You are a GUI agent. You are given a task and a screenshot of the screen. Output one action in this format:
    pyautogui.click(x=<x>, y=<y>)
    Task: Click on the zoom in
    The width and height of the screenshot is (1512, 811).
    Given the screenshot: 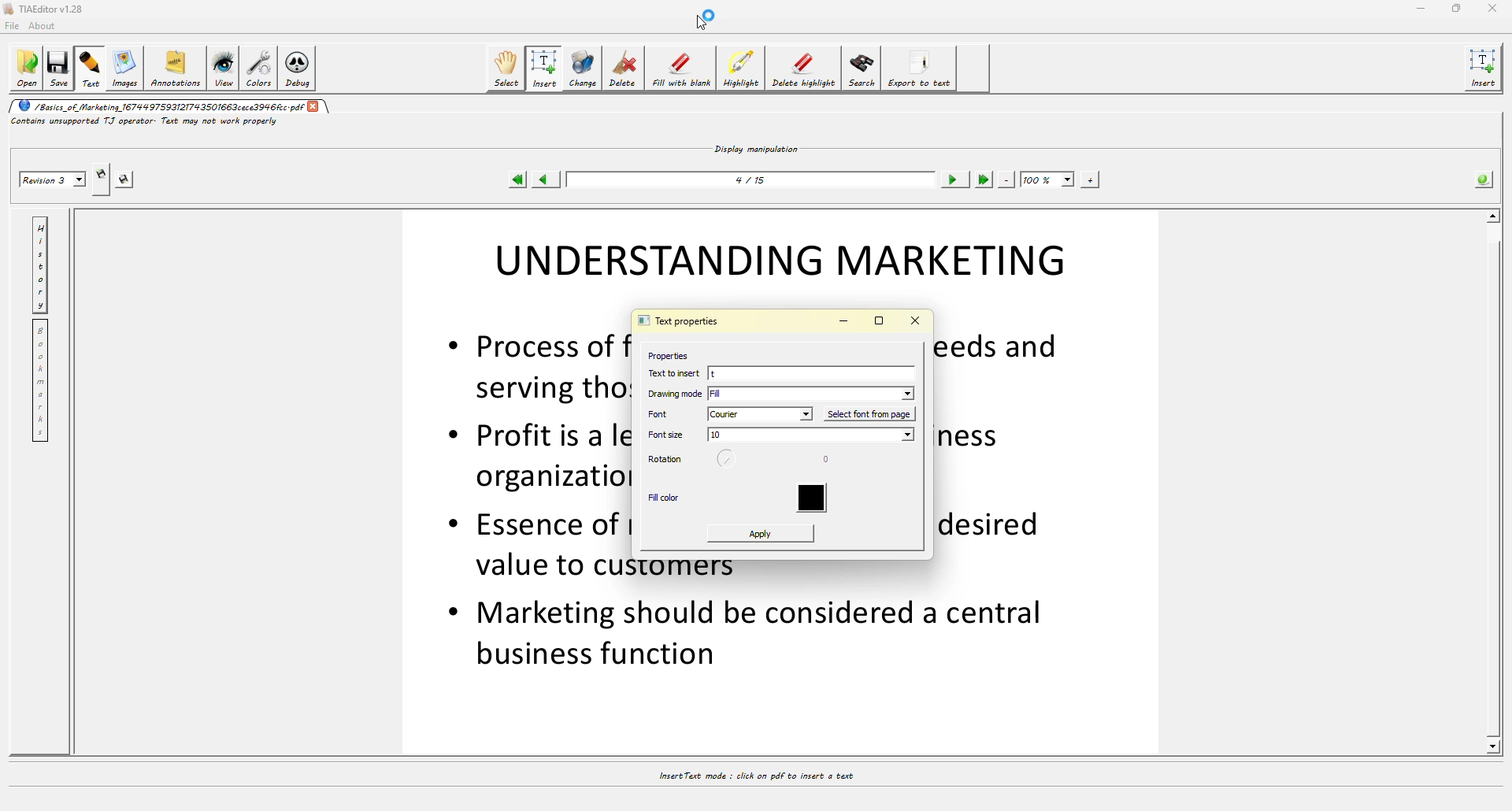 What is the action you would take?
    pyautogui.click(x=1089, y=179)
    